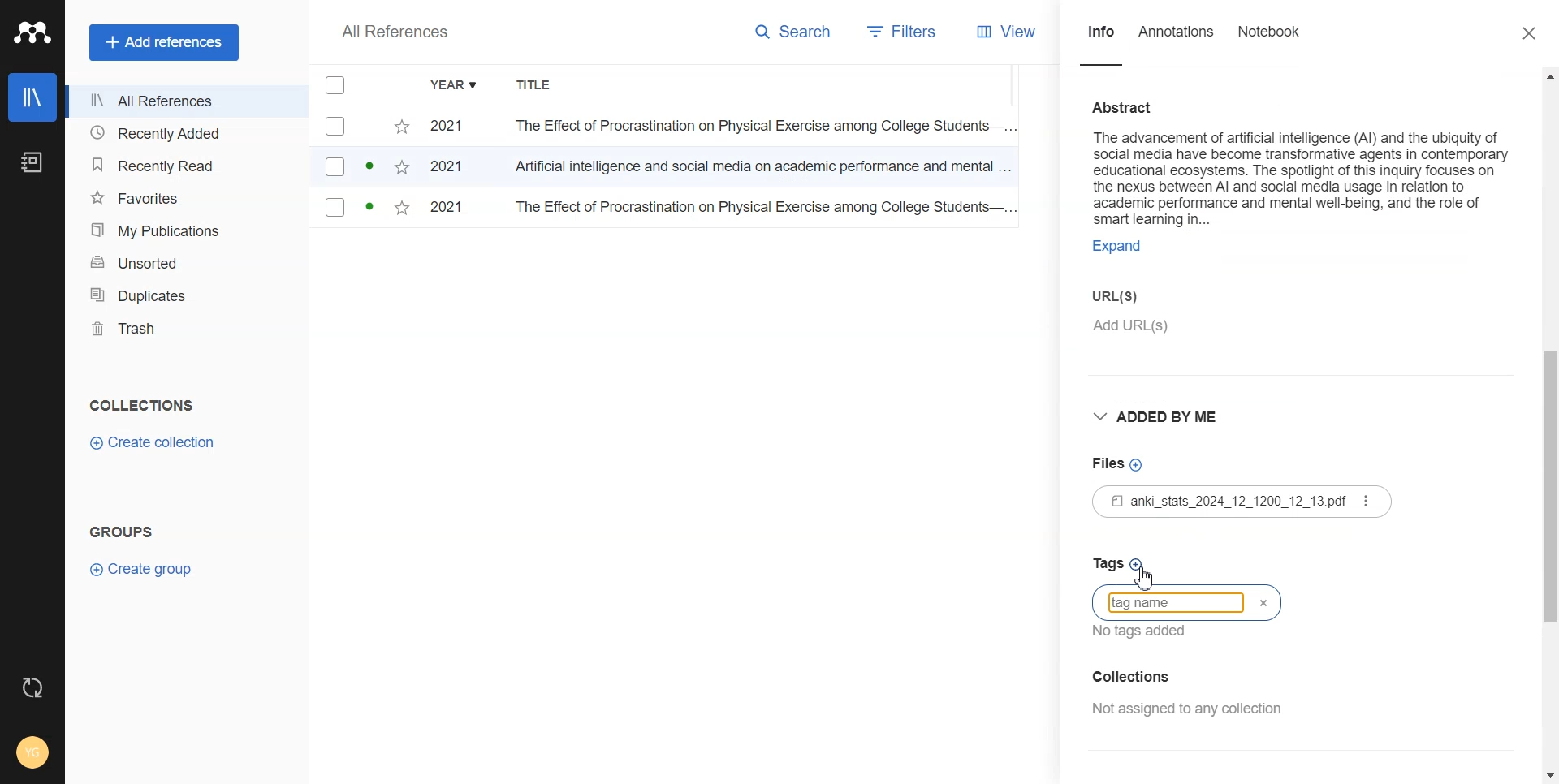 The width and height of the screenshot is (1559, 784). What do you see at coordinates (185, 230) in the screenshot?
I see `My Publication` at bounding box center [185, 230].